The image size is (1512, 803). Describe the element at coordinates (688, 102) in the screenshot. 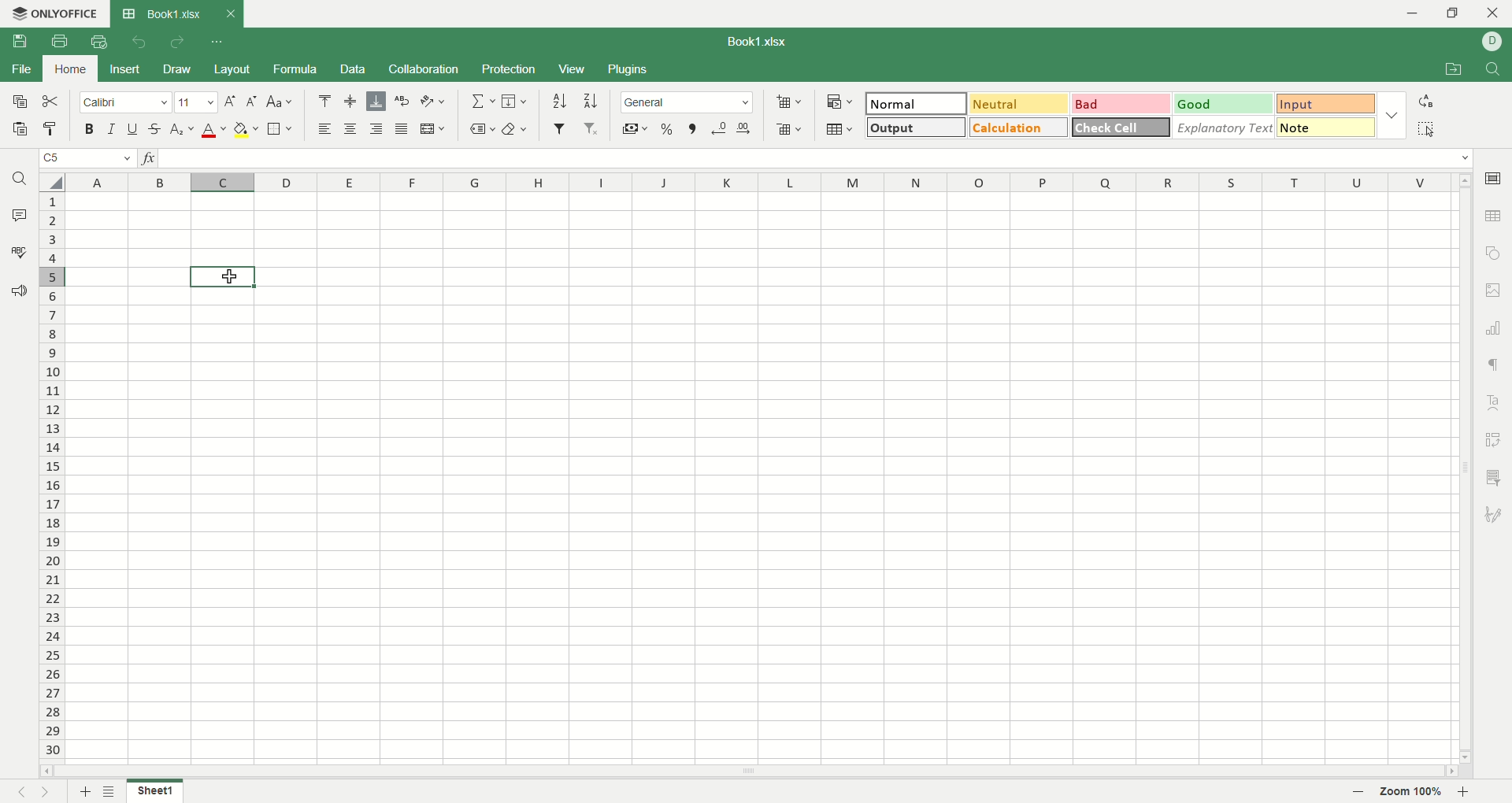

I see `general` at that location.